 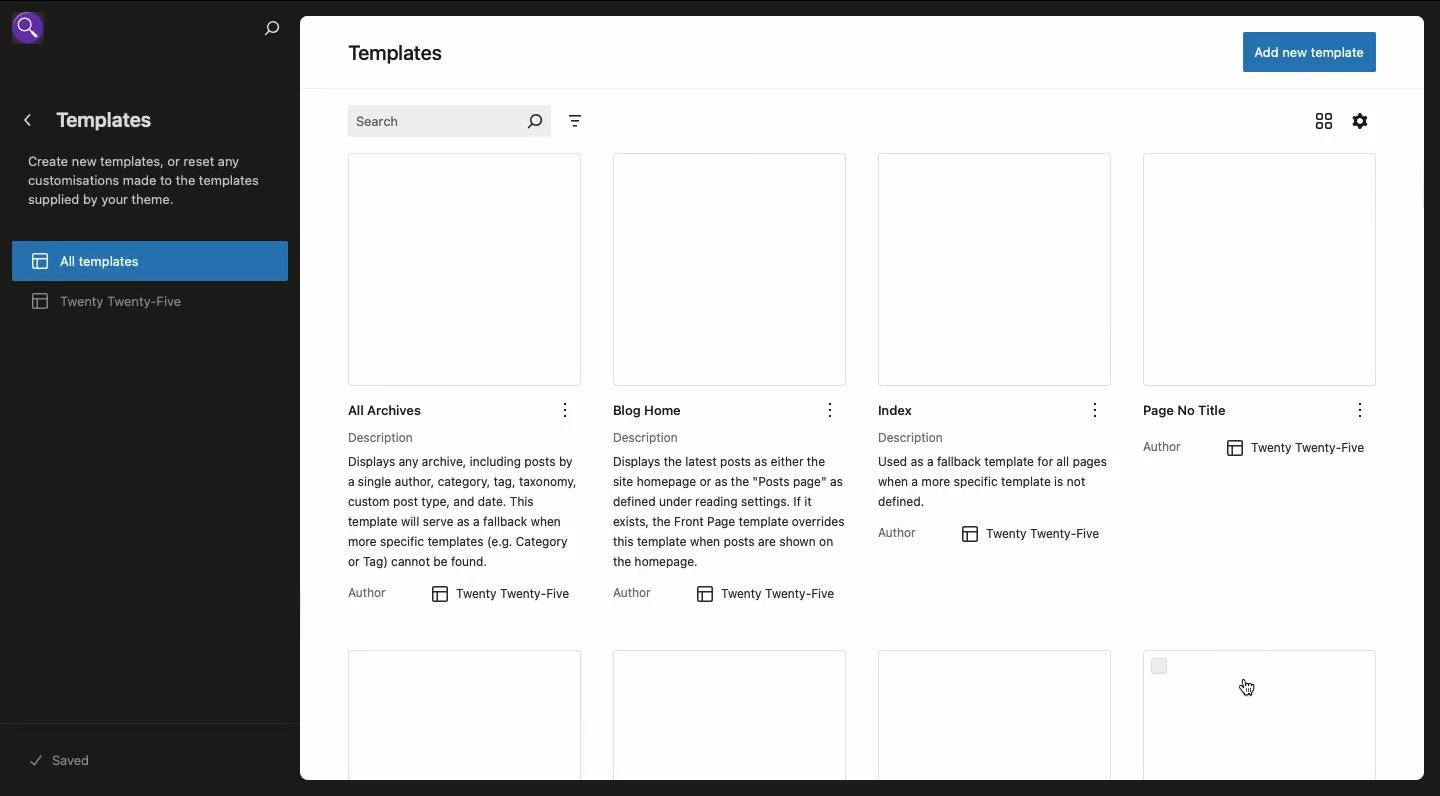 I want to click on Templates, so click(x=412, y=55).